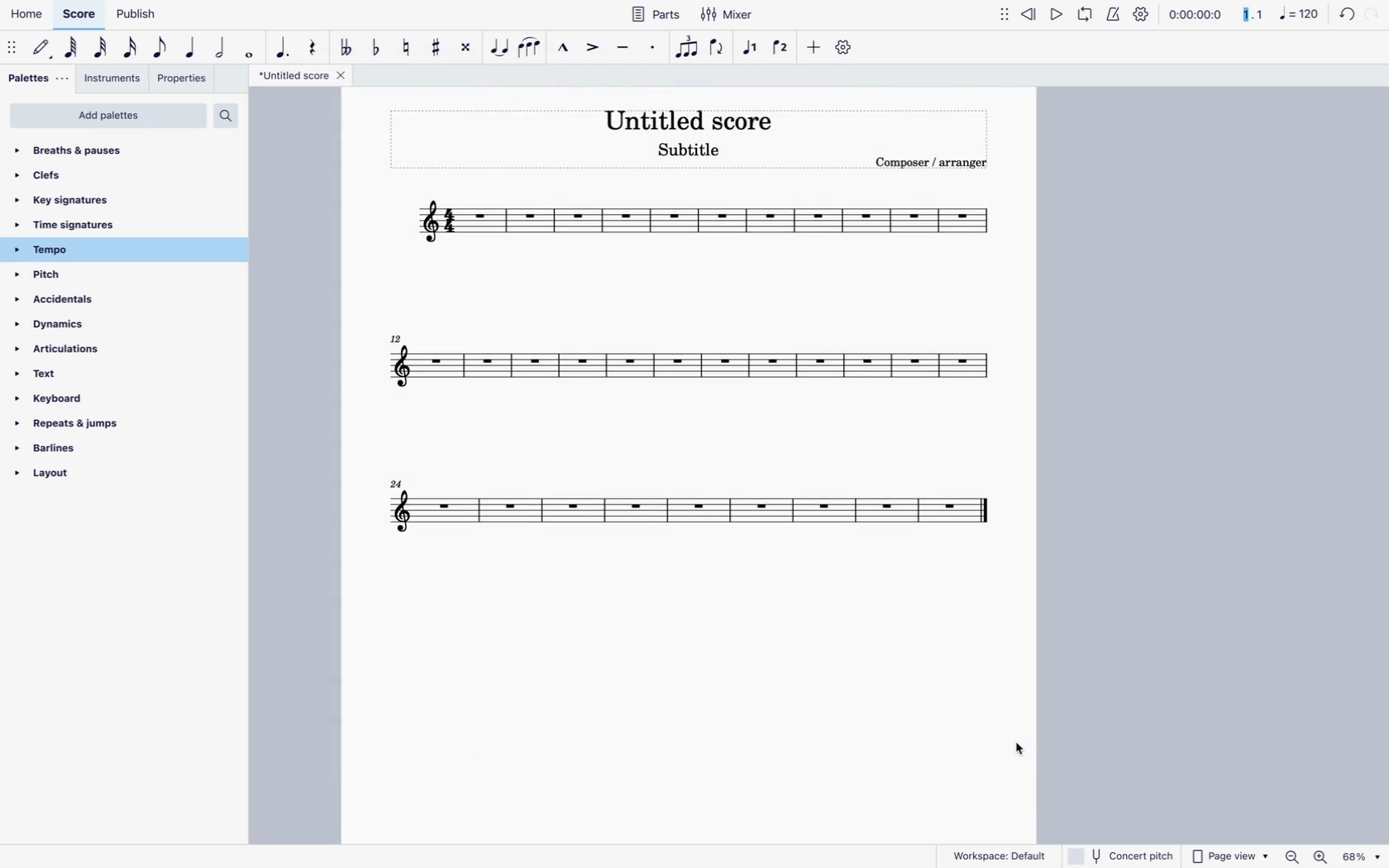  What do you see at coordinates (566, 48) in the screenshot?
I see `marcato` at bounding box center [566, 48].